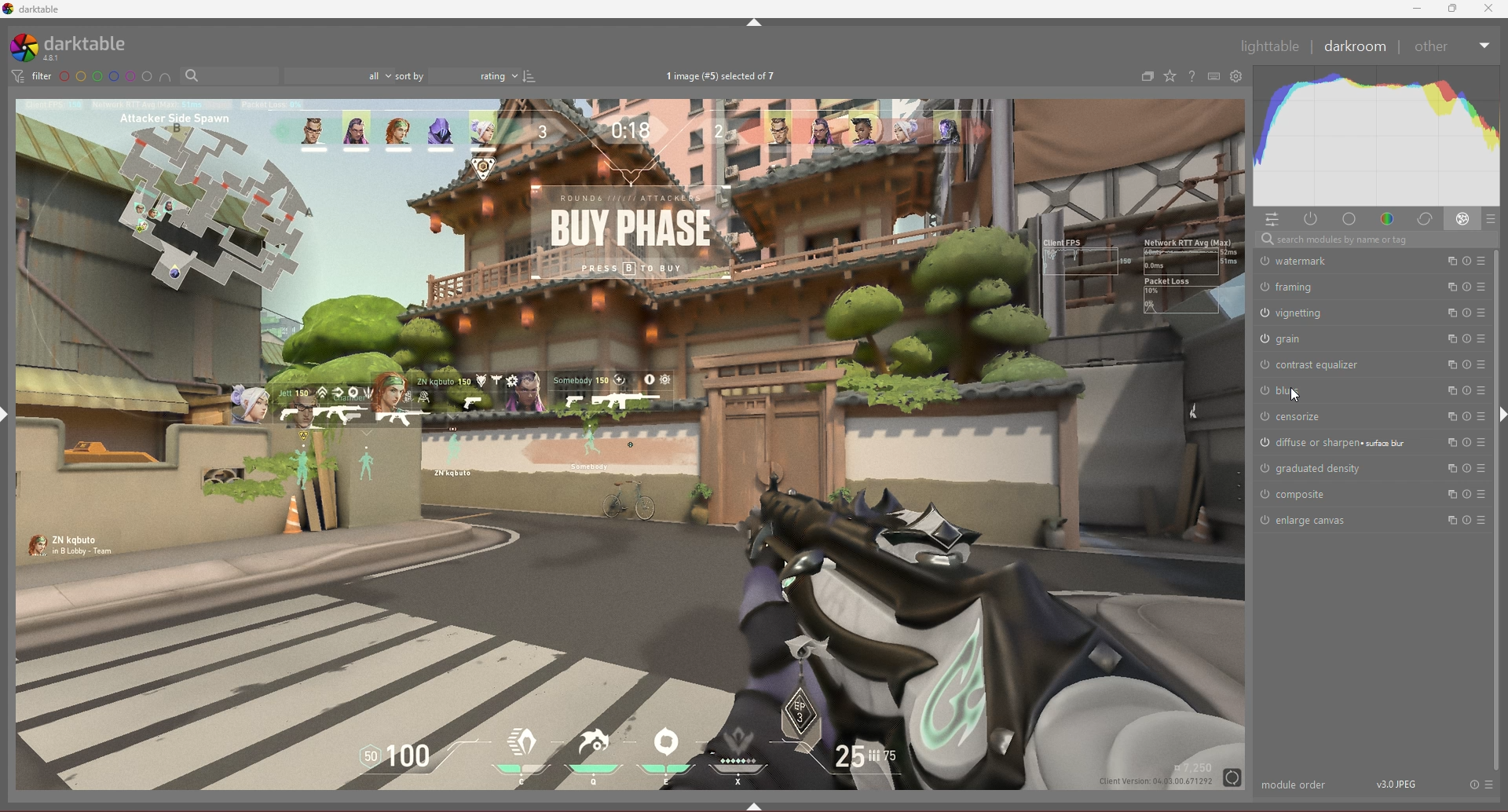  I want to click on filter, so click(32, 75).